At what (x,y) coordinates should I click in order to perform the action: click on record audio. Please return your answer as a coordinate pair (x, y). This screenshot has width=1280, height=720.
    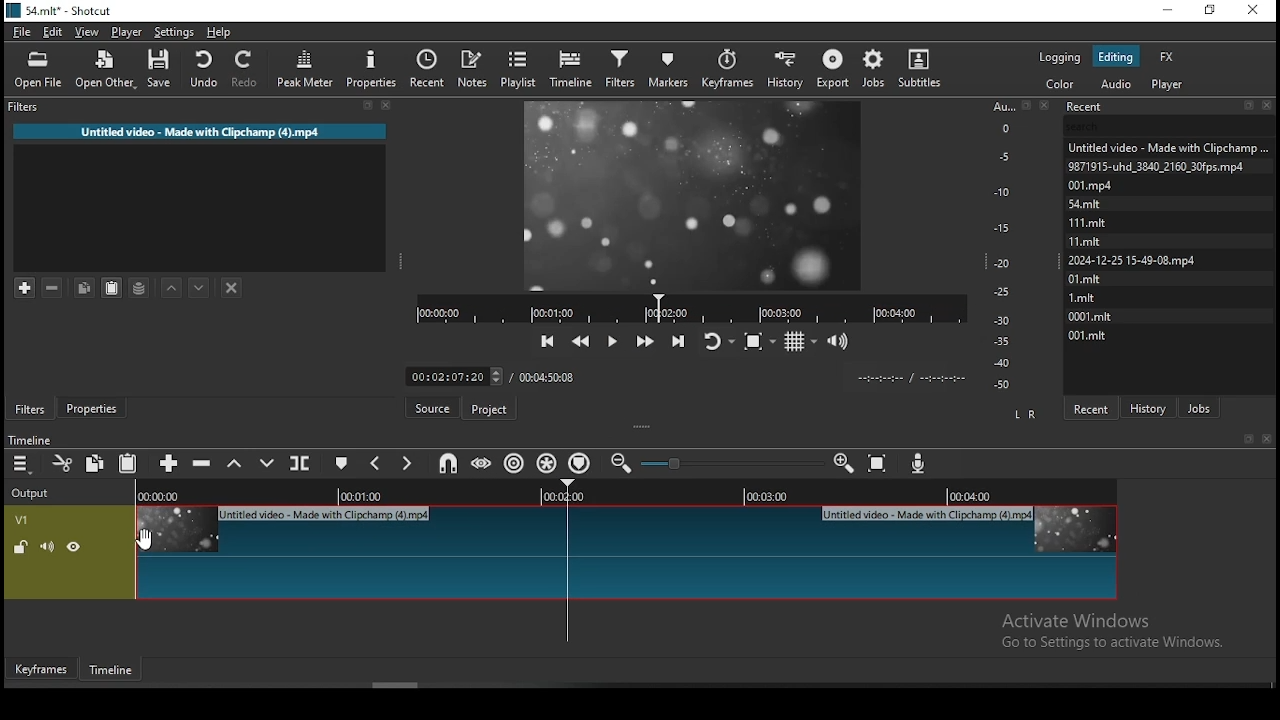
    Looking at the image, I should click on (921, 460).